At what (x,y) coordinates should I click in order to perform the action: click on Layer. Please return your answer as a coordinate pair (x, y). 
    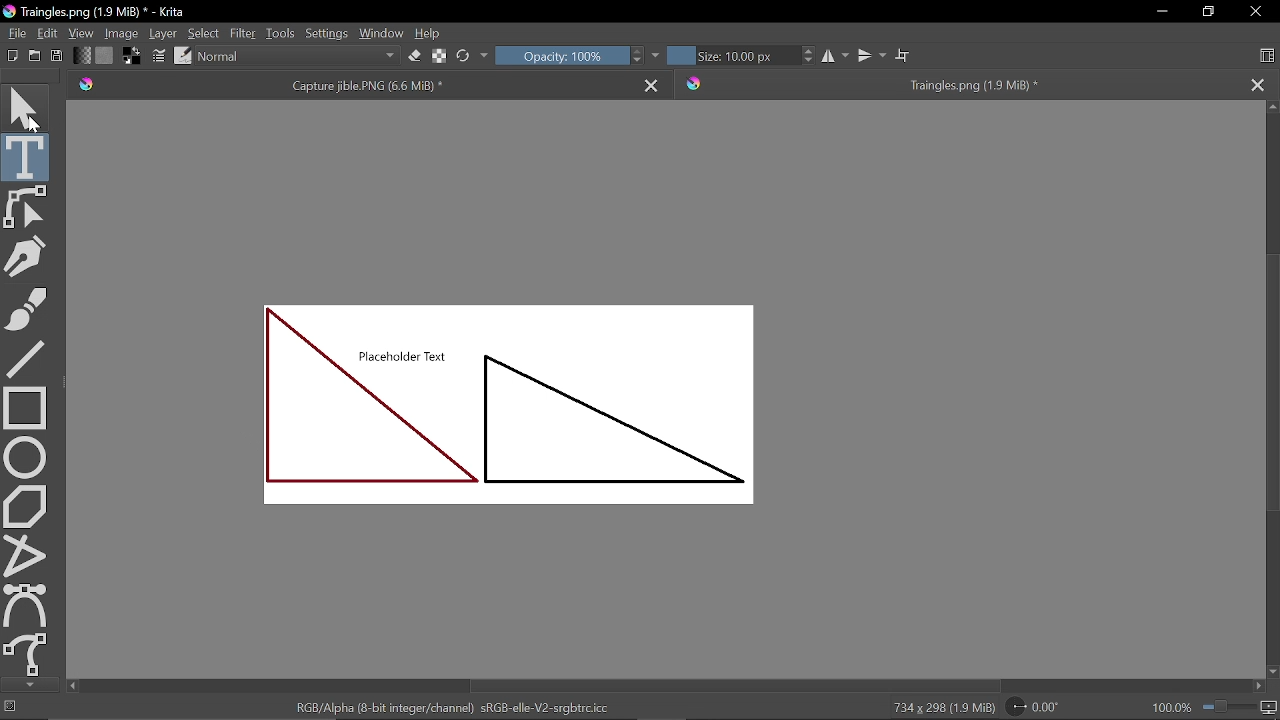
    Looking at the image, I should click on (163, 33).